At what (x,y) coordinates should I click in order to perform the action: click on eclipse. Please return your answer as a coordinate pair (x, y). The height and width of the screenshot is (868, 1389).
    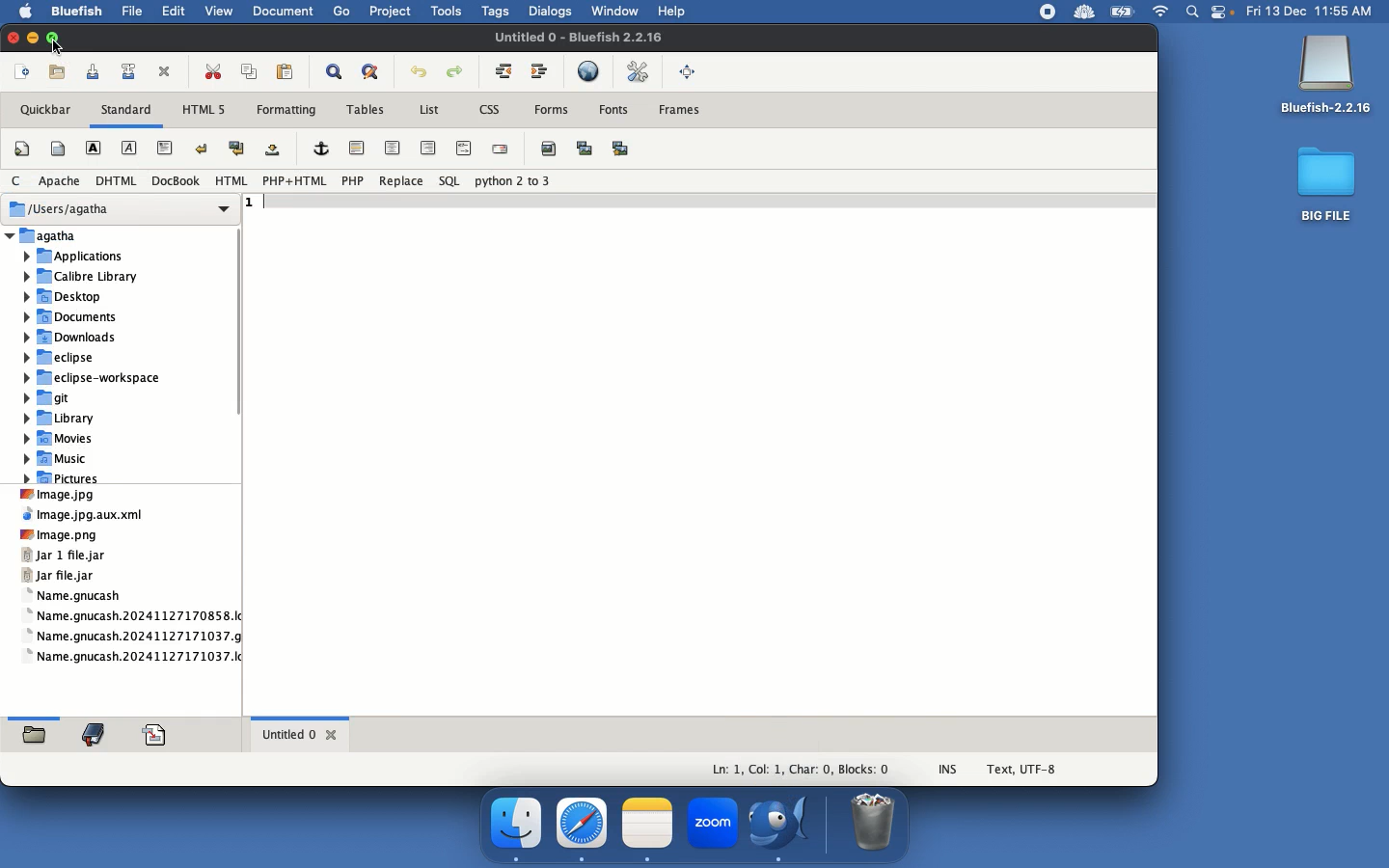
    Looking at the image, I should click on (69, 357).